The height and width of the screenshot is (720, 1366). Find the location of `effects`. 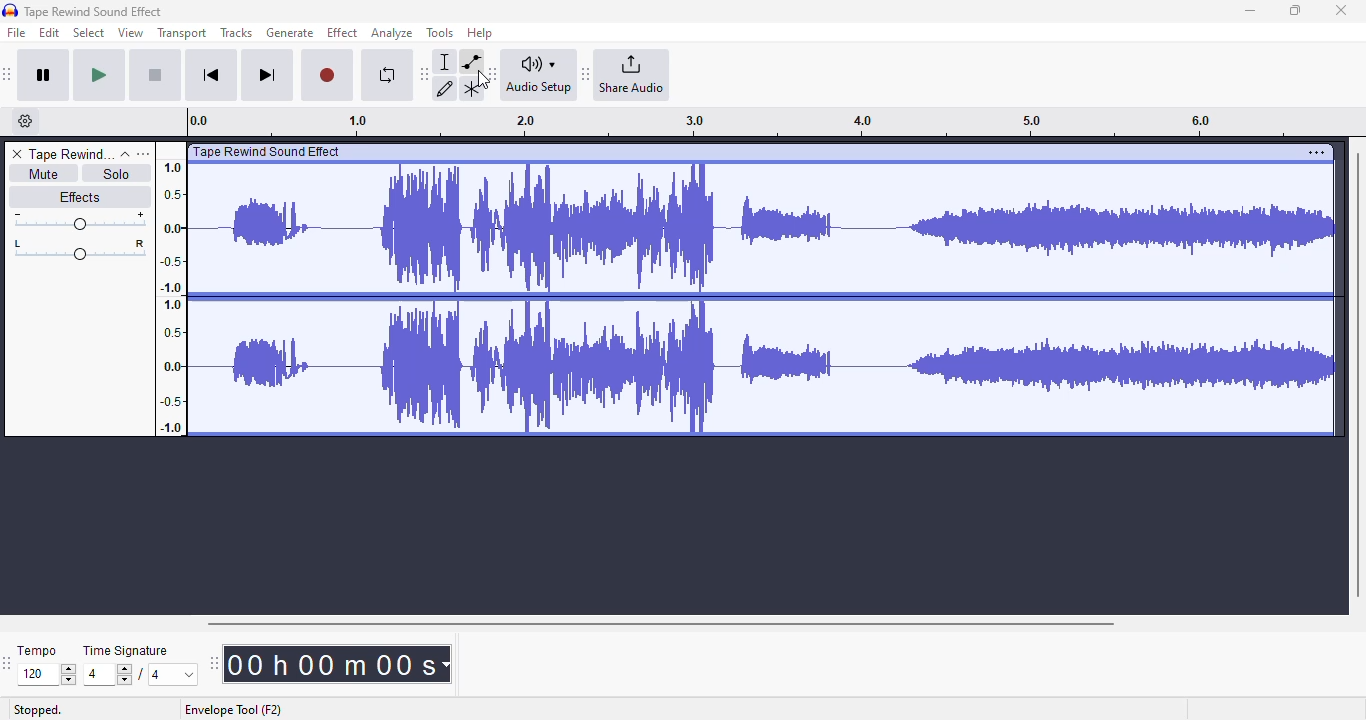

effects is located at coordinates (79, 196).